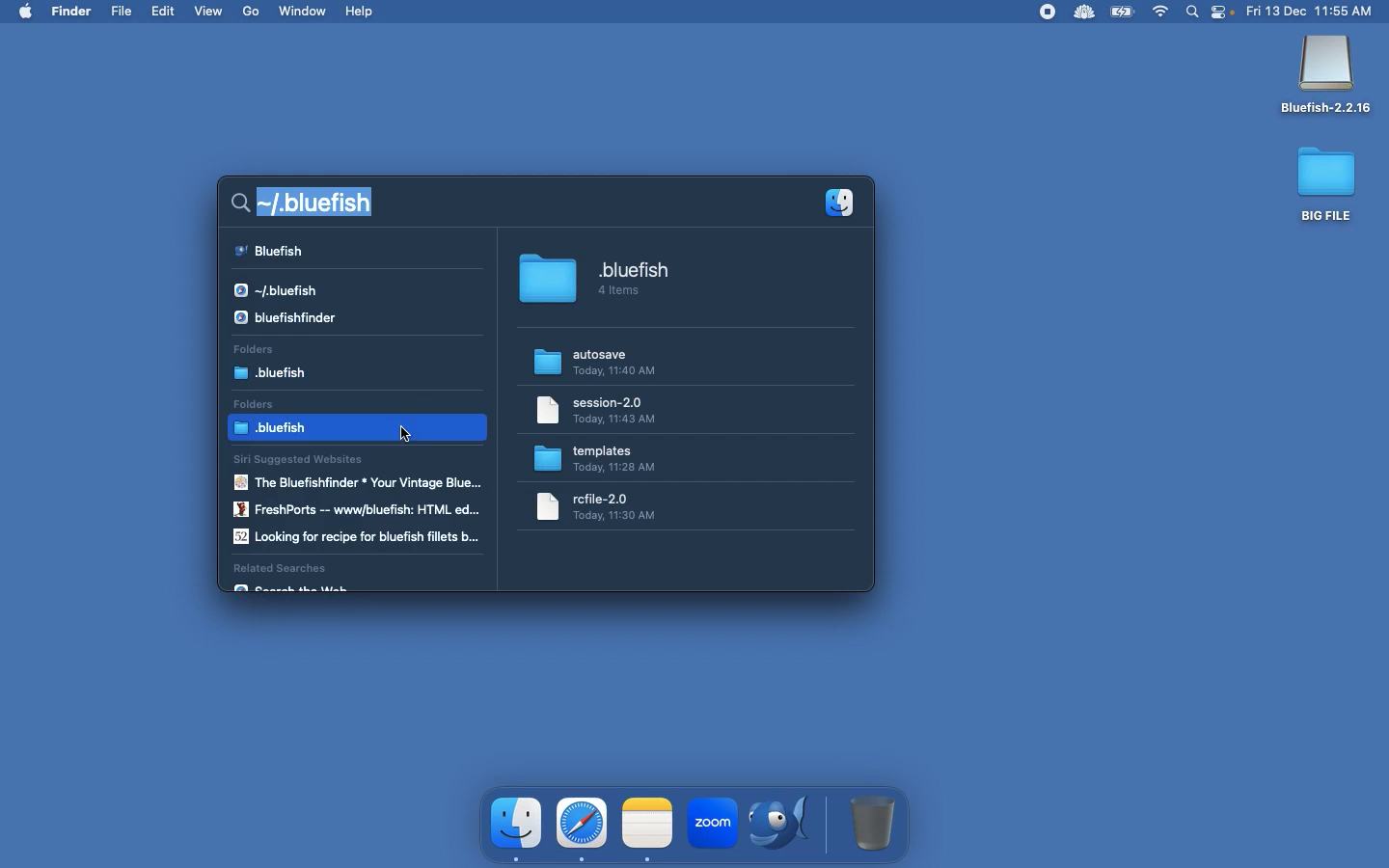 This screenshot has width=1389, height=868. What do you see at coordinates (304, 11) in the screenshot?
I see `Window` at bounding box center [304, 11].